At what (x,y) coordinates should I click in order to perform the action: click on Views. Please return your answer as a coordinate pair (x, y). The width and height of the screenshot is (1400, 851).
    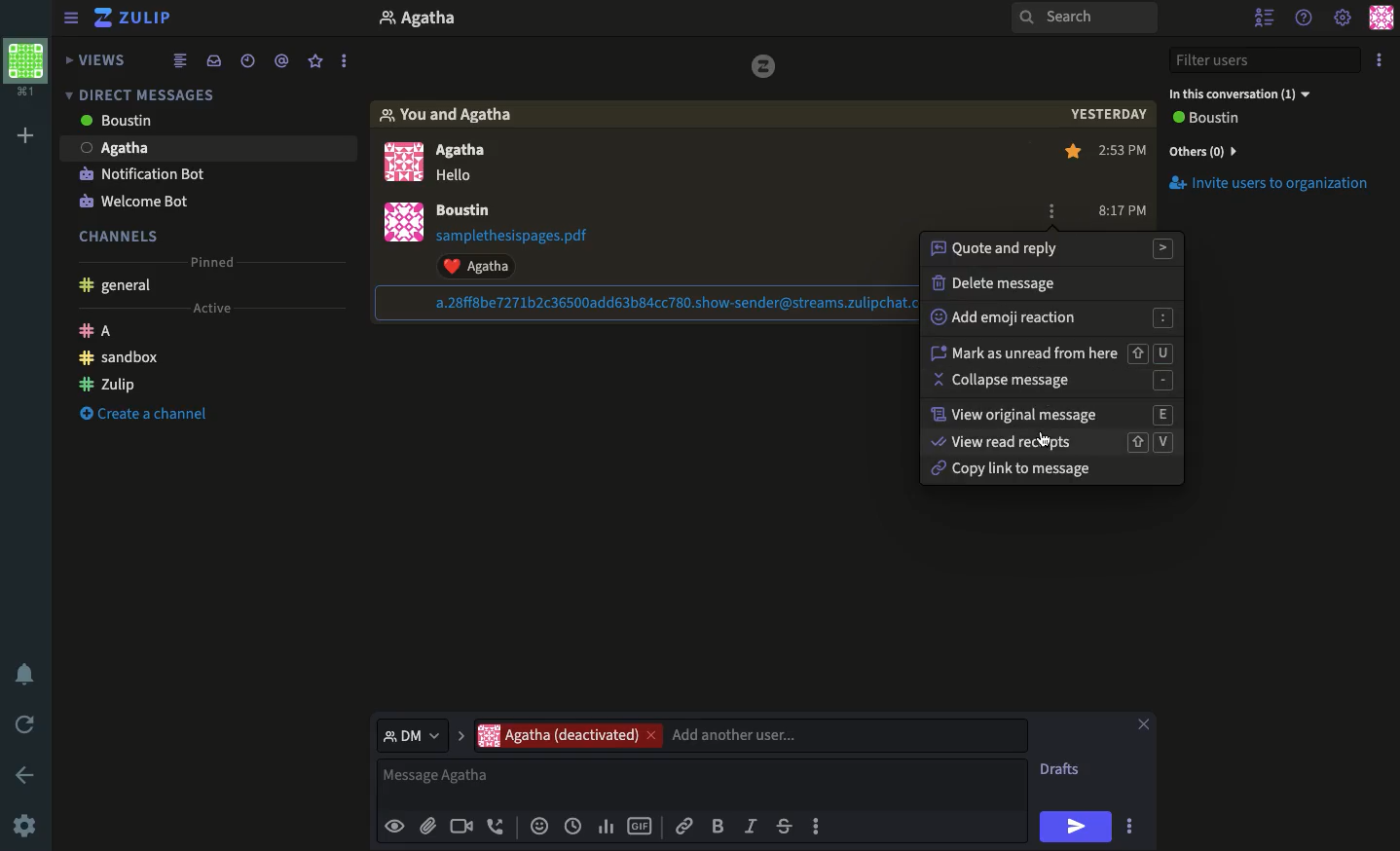
    Looking at the image, I should click on (99, 61).